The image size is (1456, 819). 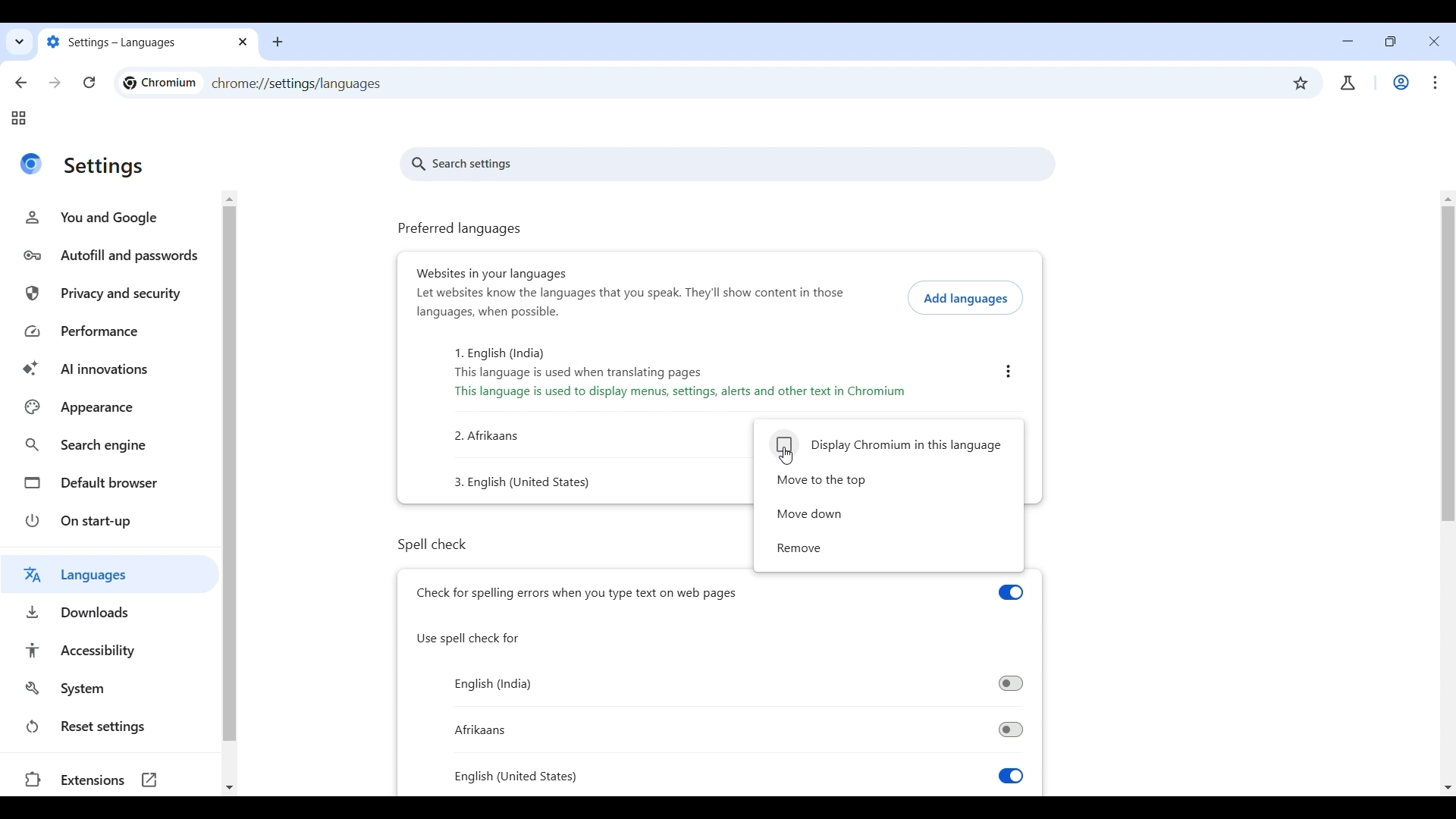 I want to click on Autofill and passwords, so click(x=111, y=256).